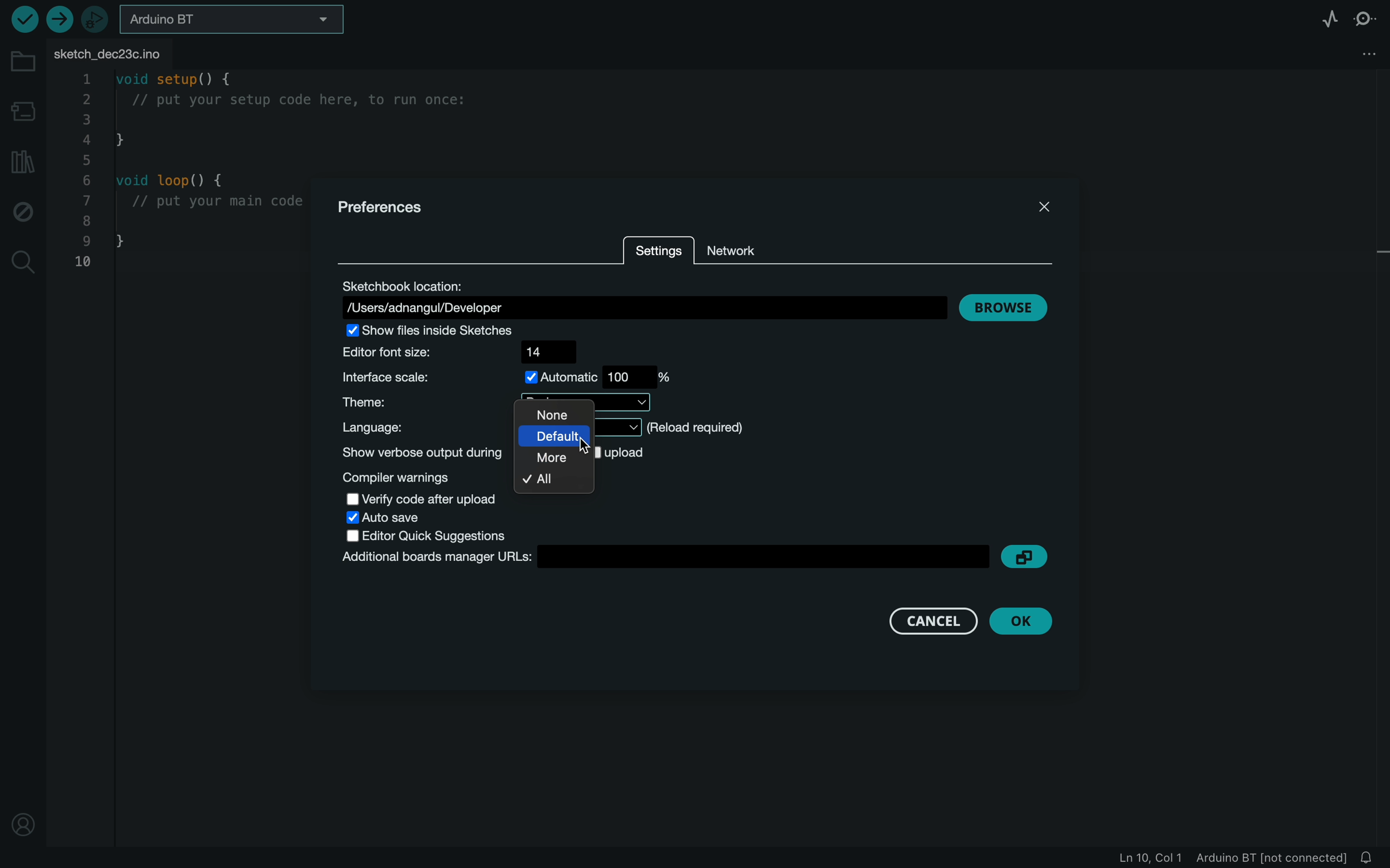  Describe the element at coordinates (23, 828) in the screenshot. I see `location` at that location.